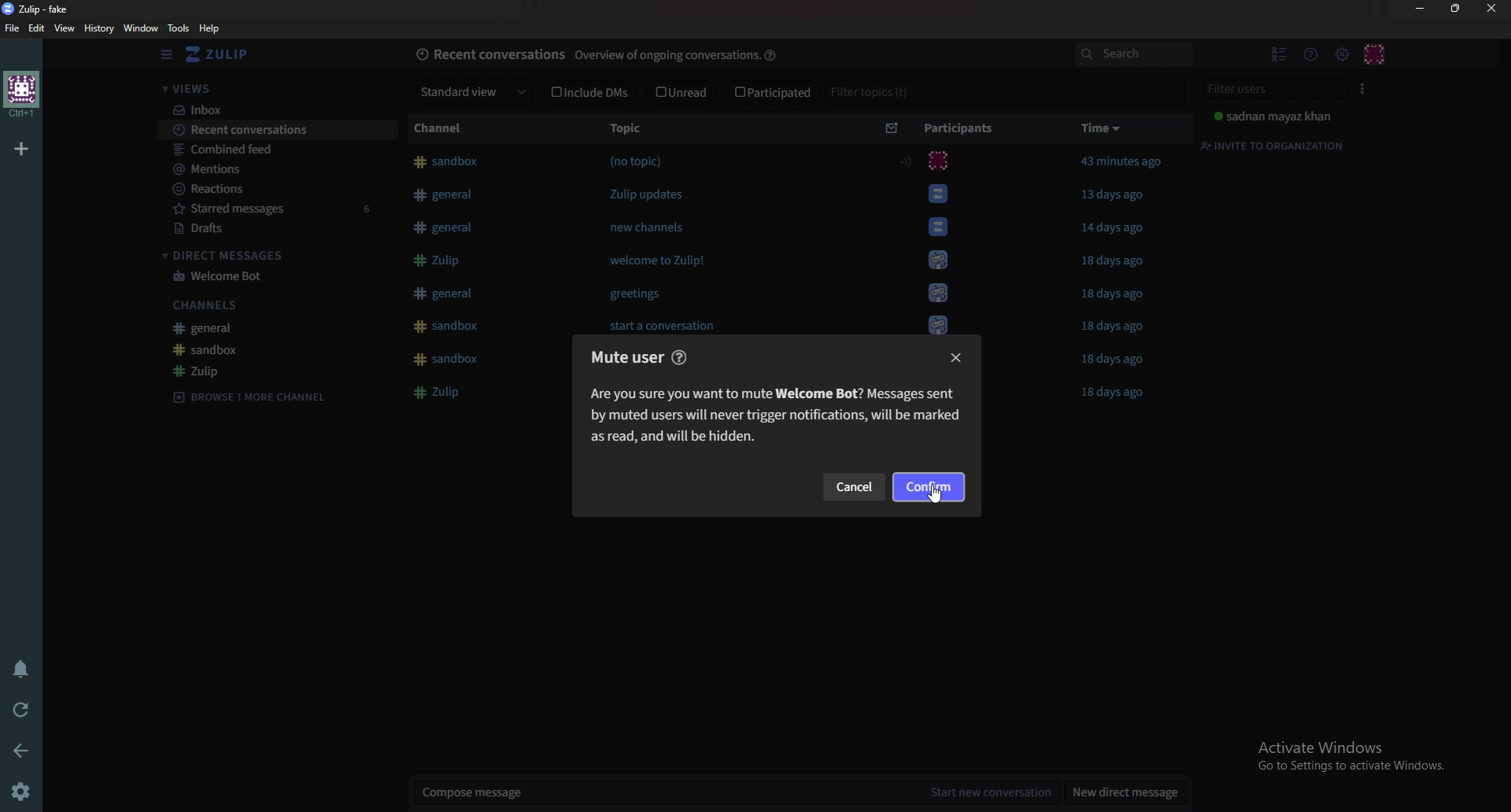  Describe the element at coordinates (648, 227) in the screenshot. I see `new channels` at that location.